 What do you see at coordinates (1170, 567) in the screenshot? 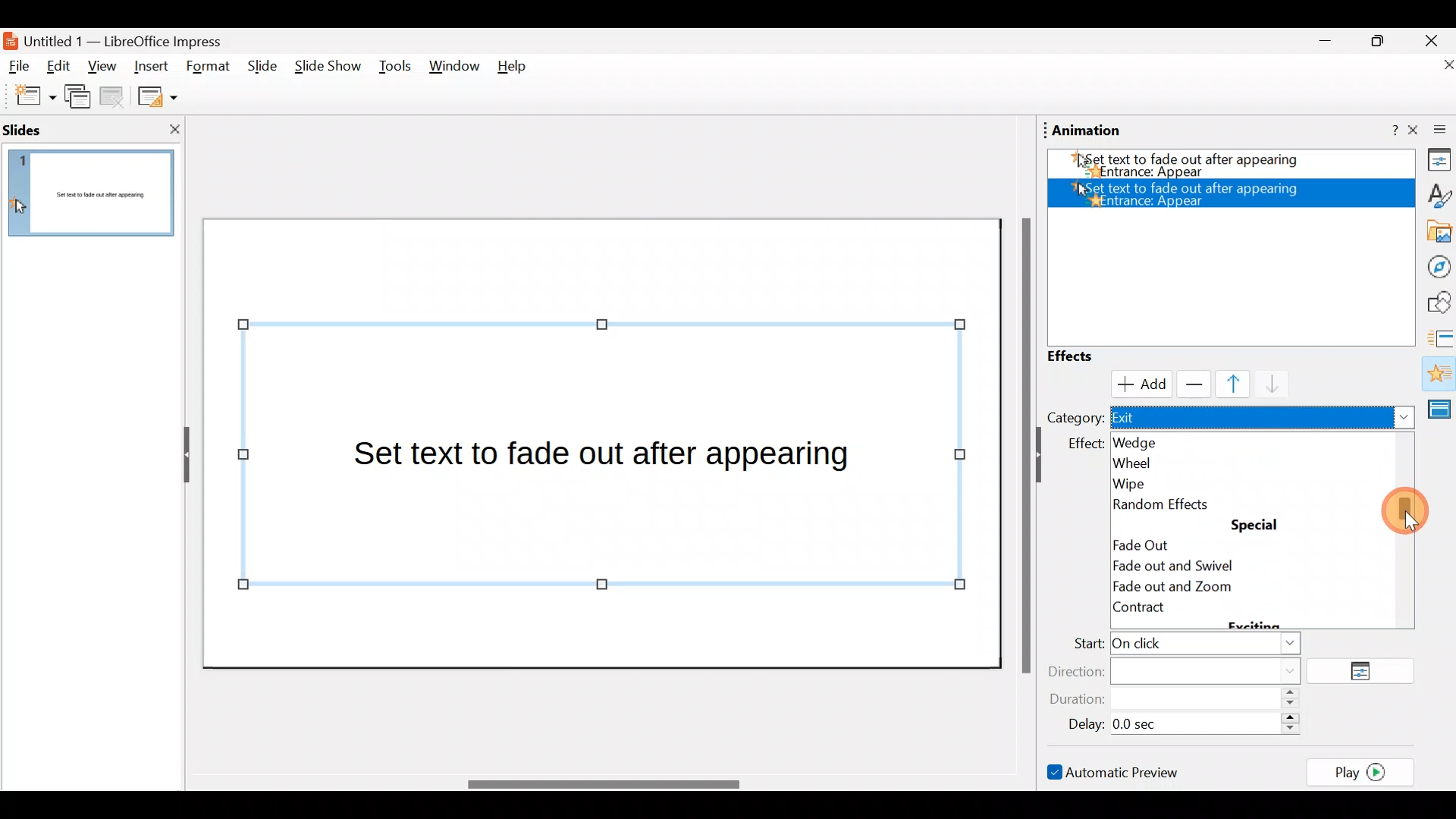
I see `Circle` at bounding box center [1170, 567].